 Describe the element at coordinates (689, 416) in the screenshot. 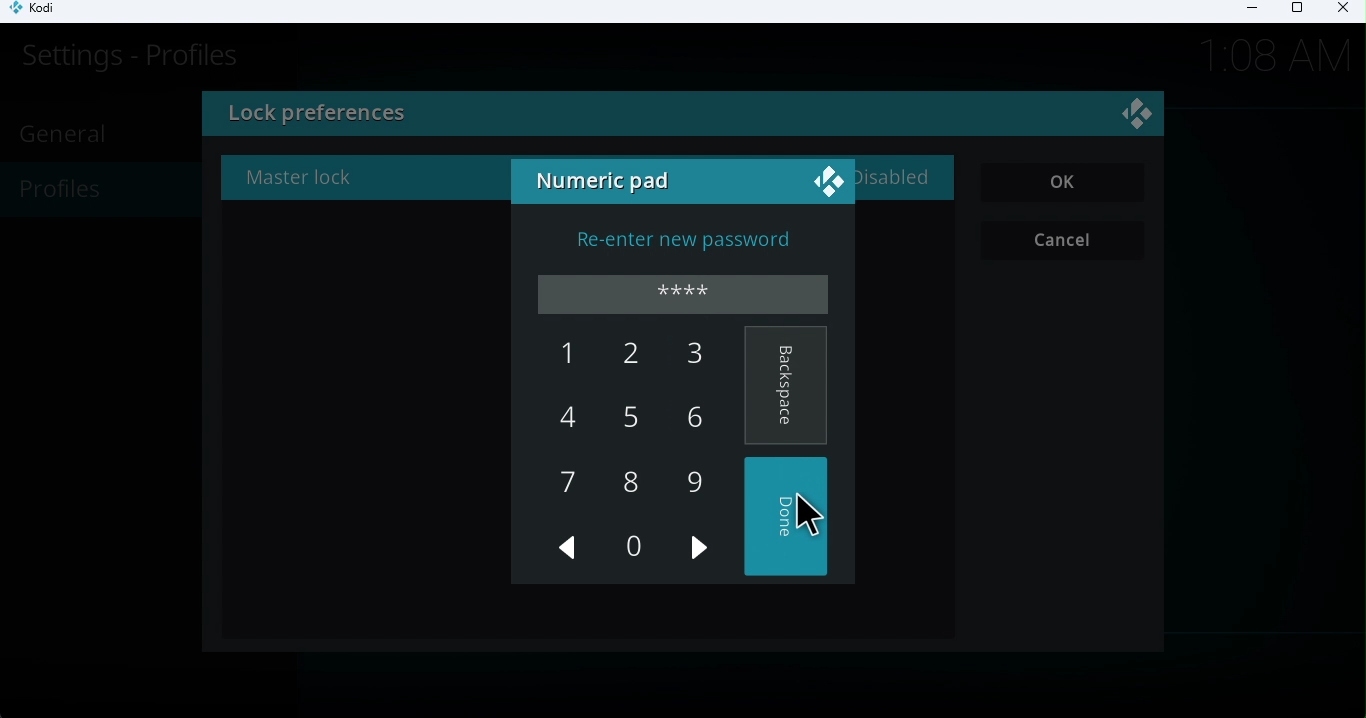

I see `6` at that location.